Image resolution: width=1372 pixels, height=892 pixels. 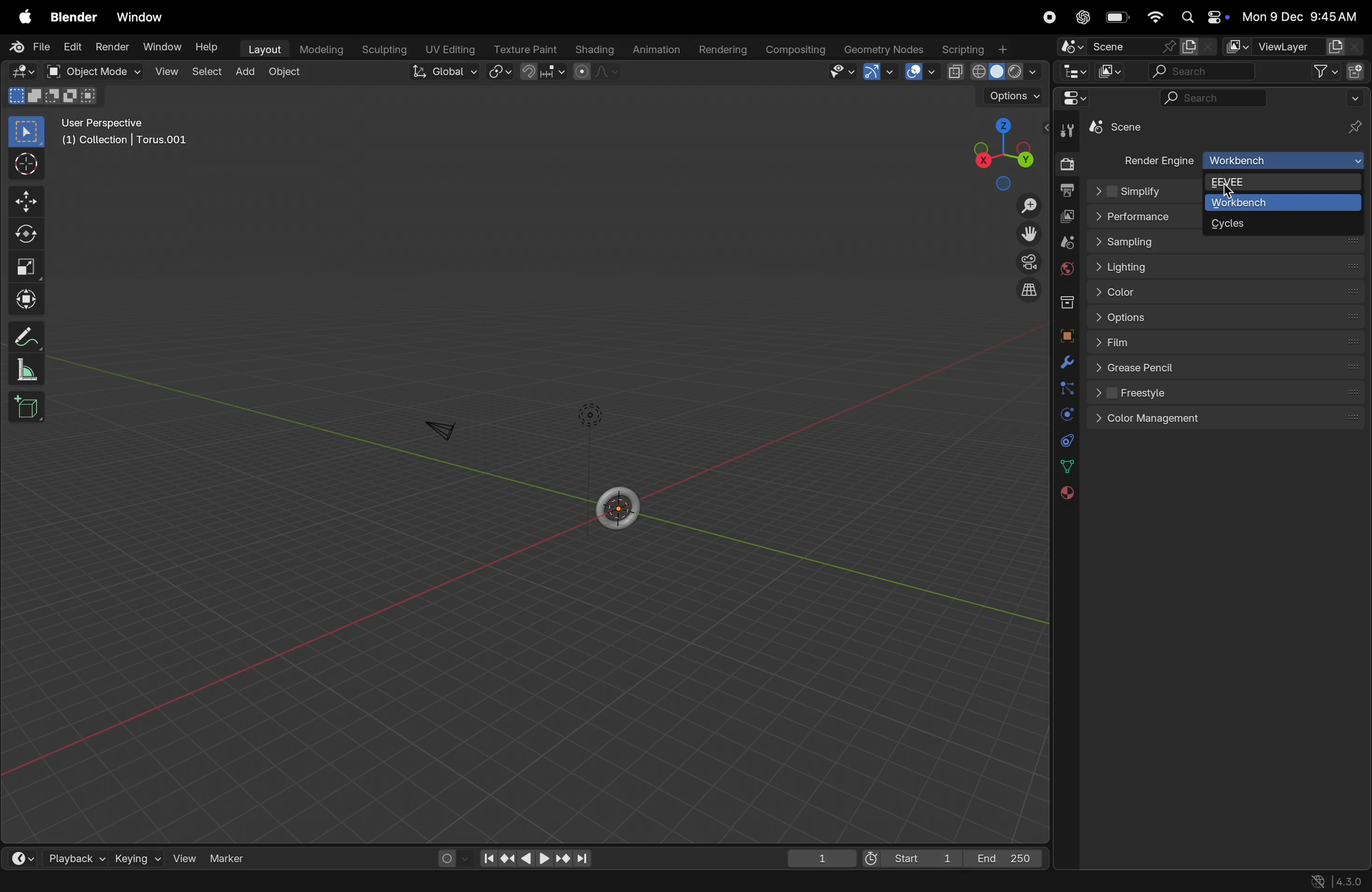 I want to click on user perspective, so click(x=128, y=130).